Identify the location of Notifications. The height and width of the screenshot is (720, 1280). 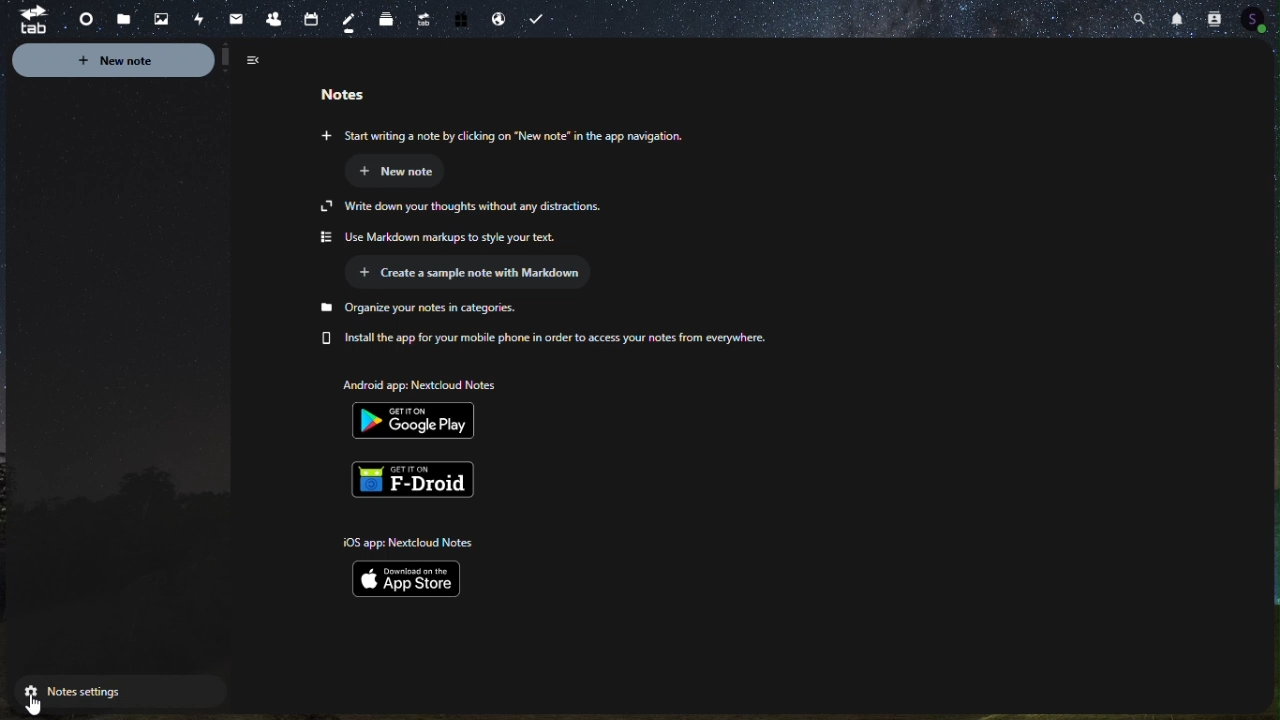
(1174, 17).